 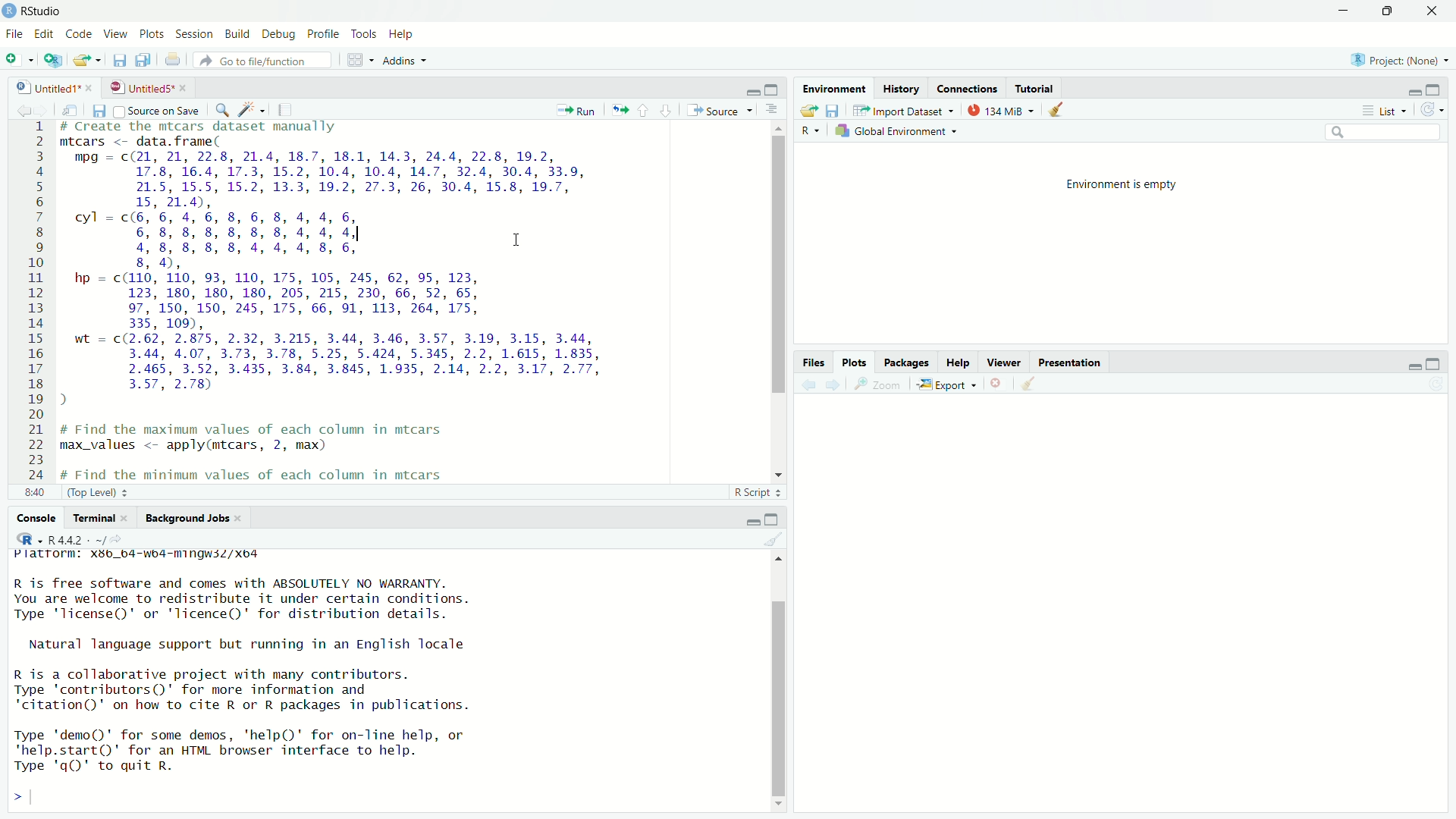 What do you see at coordinates (851, 359) in the screenshot?
I see `Plots` at bounding box center [851, 359].